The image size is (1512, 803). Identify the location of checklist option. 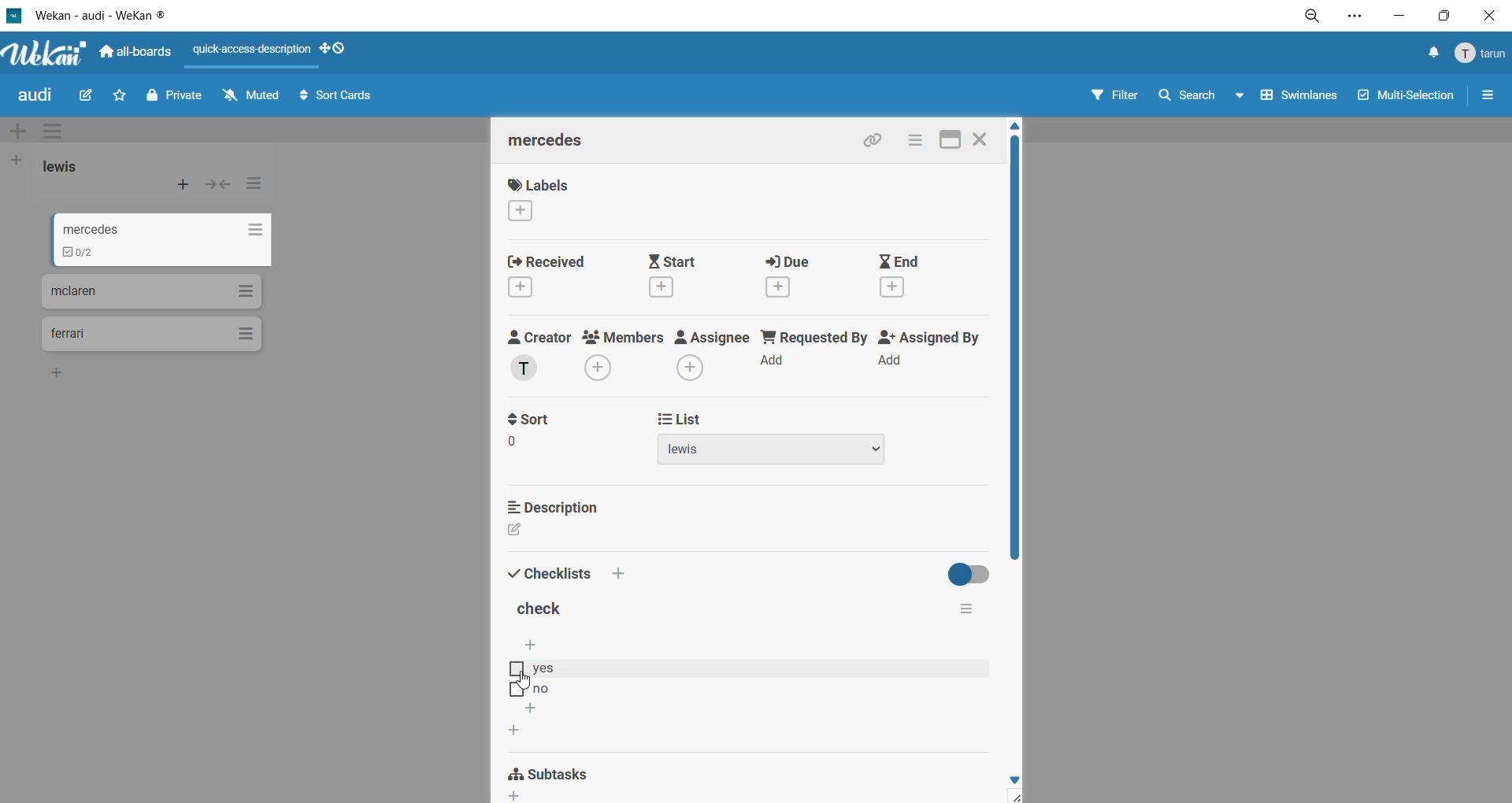
(737, 689).